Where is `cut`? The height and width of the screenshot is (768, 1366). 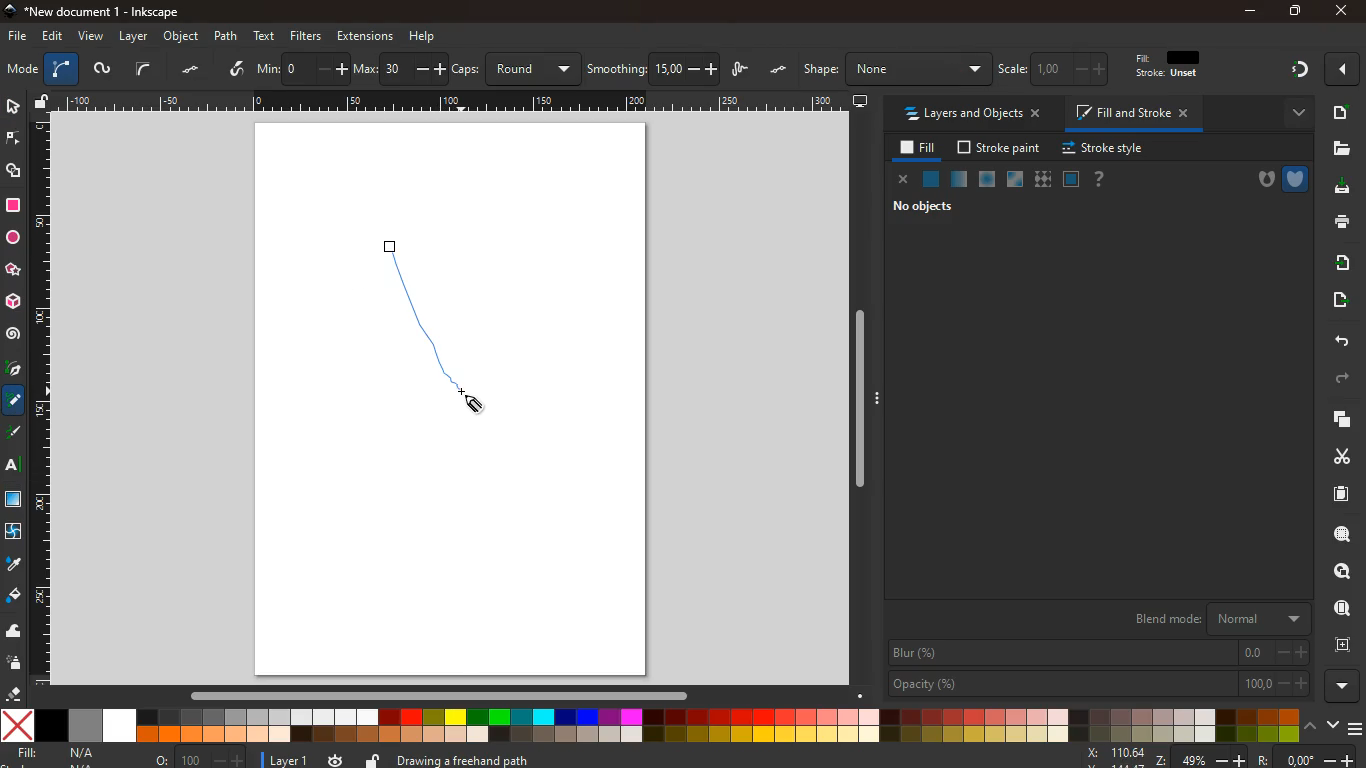 cut is located at coordinates (1336, 456).